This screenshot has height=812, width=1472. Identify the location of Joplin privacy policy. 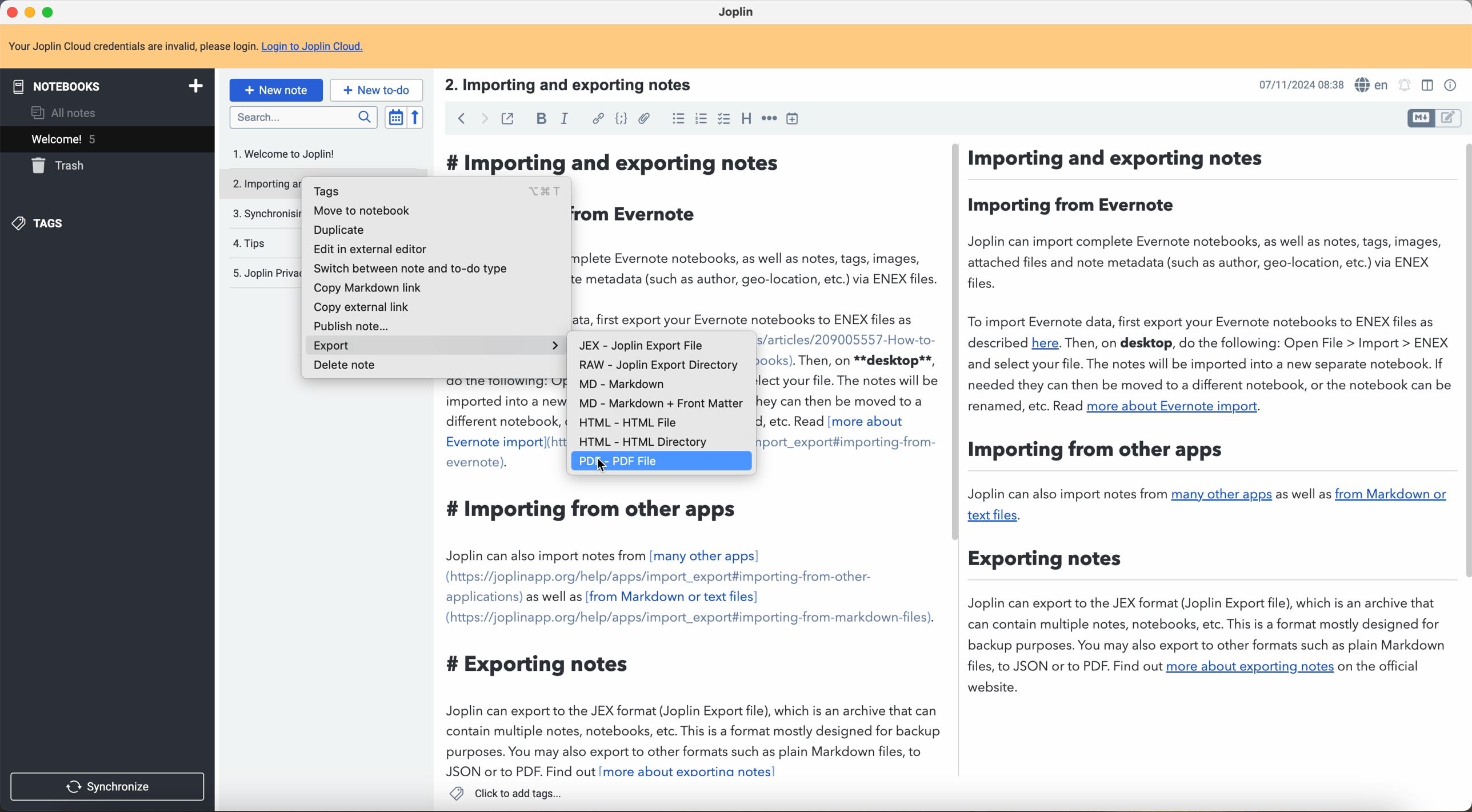
(264, 273).